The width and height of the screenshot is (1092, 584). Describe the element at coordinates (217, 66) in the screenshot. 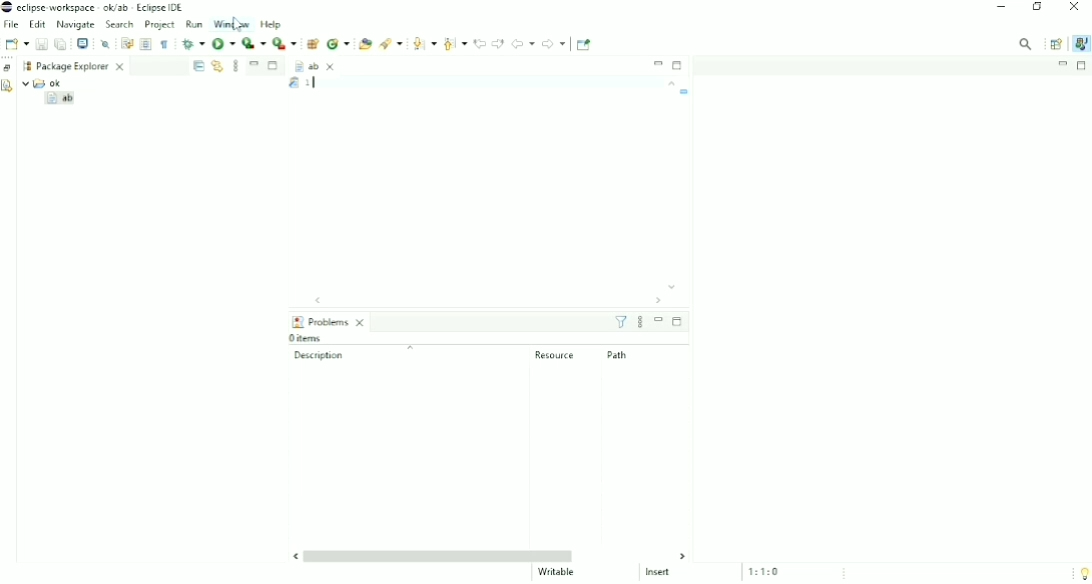

I see `Link with Editor` at that location.